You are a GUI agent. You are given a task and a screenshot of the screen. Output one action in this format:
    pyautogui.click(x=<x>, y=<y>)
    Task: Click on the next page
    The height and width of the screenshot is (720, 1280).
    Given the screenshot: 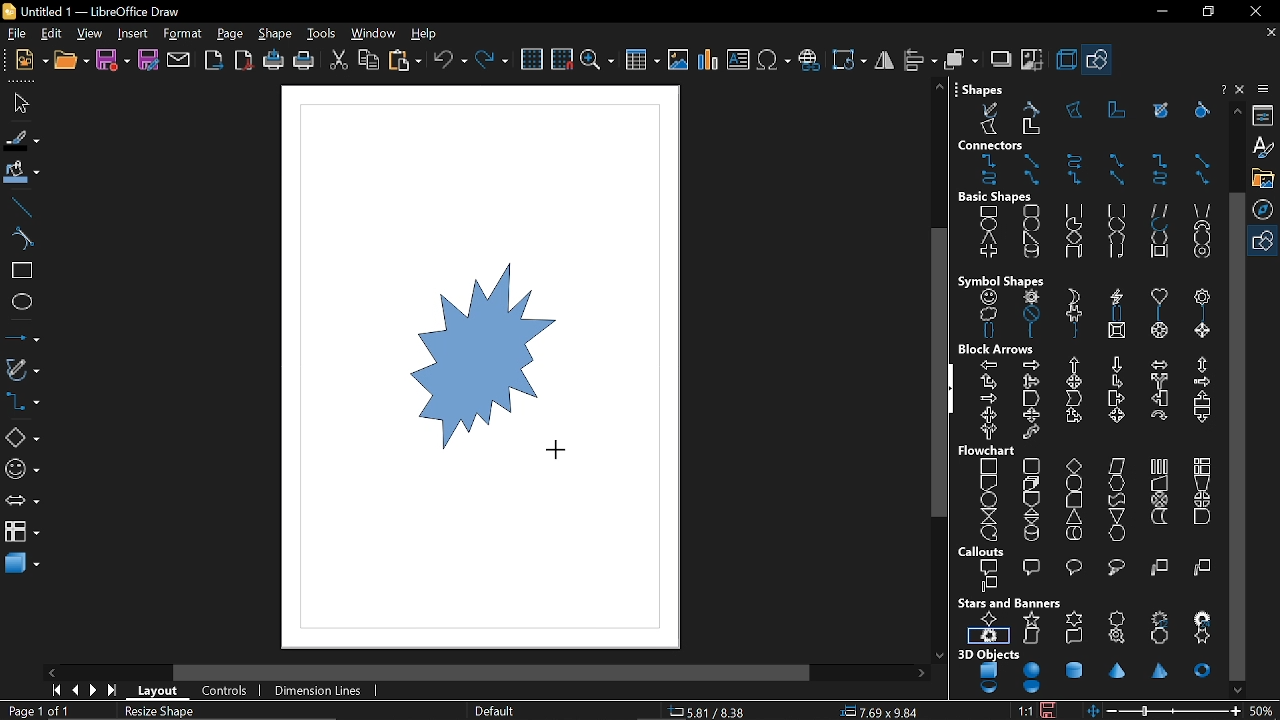 What is the action you would take?
    pyautogui.click(x=96, y=691)
    